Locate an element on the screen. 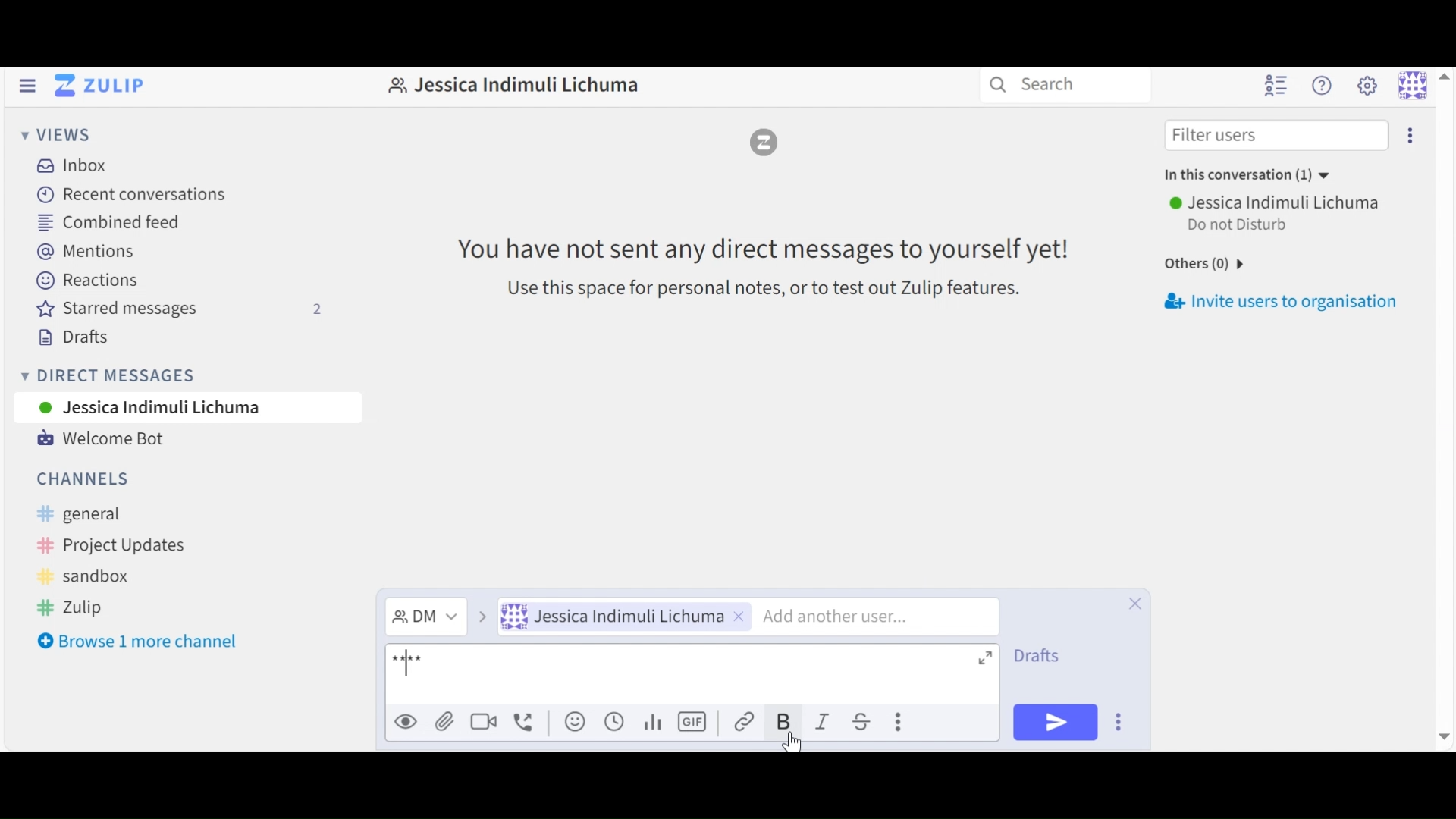 This screenshot has height=819, width=1456. user is located at coordinates (1278, 202).